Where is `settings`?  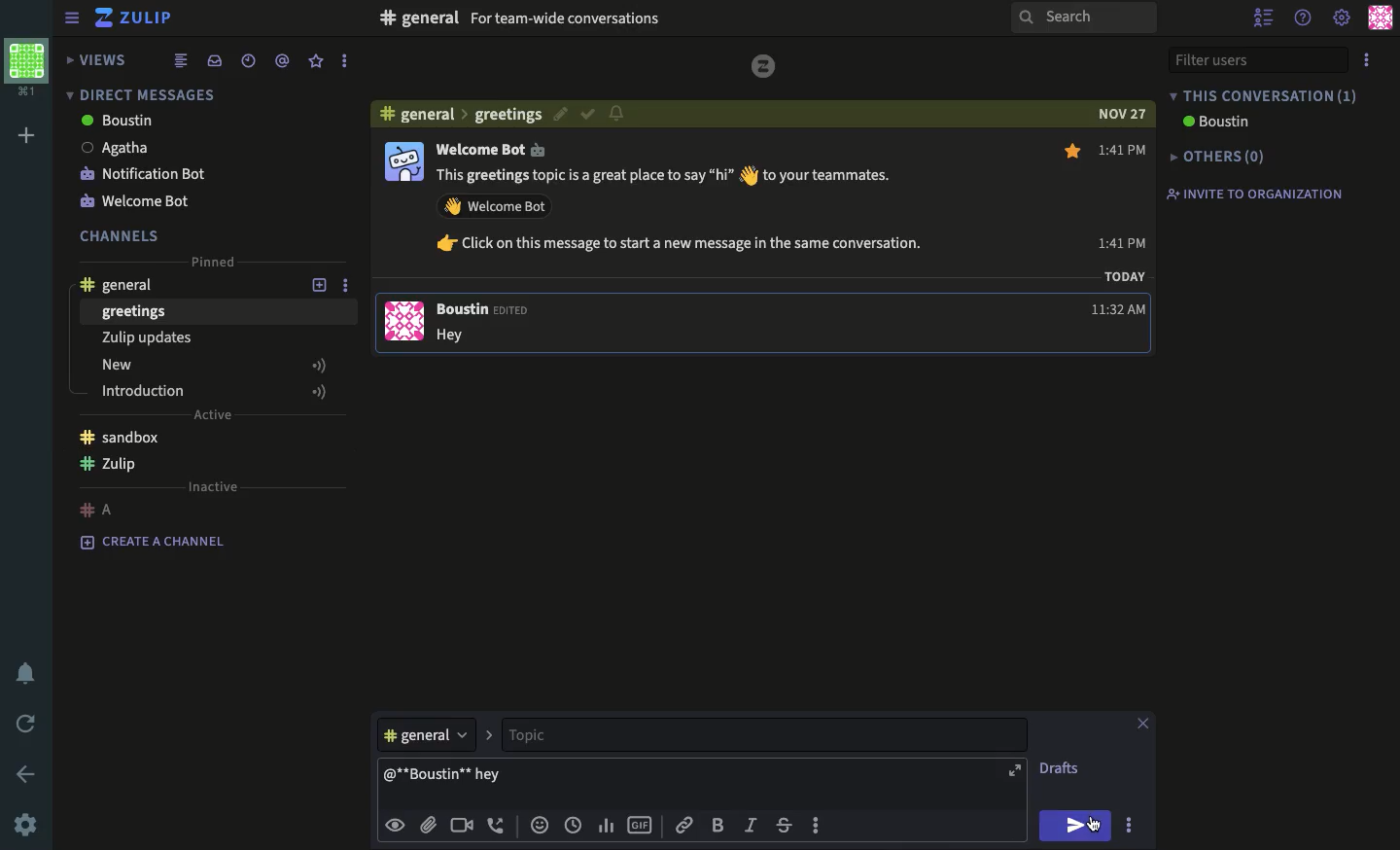 settings is located at coordinates (24, 827).